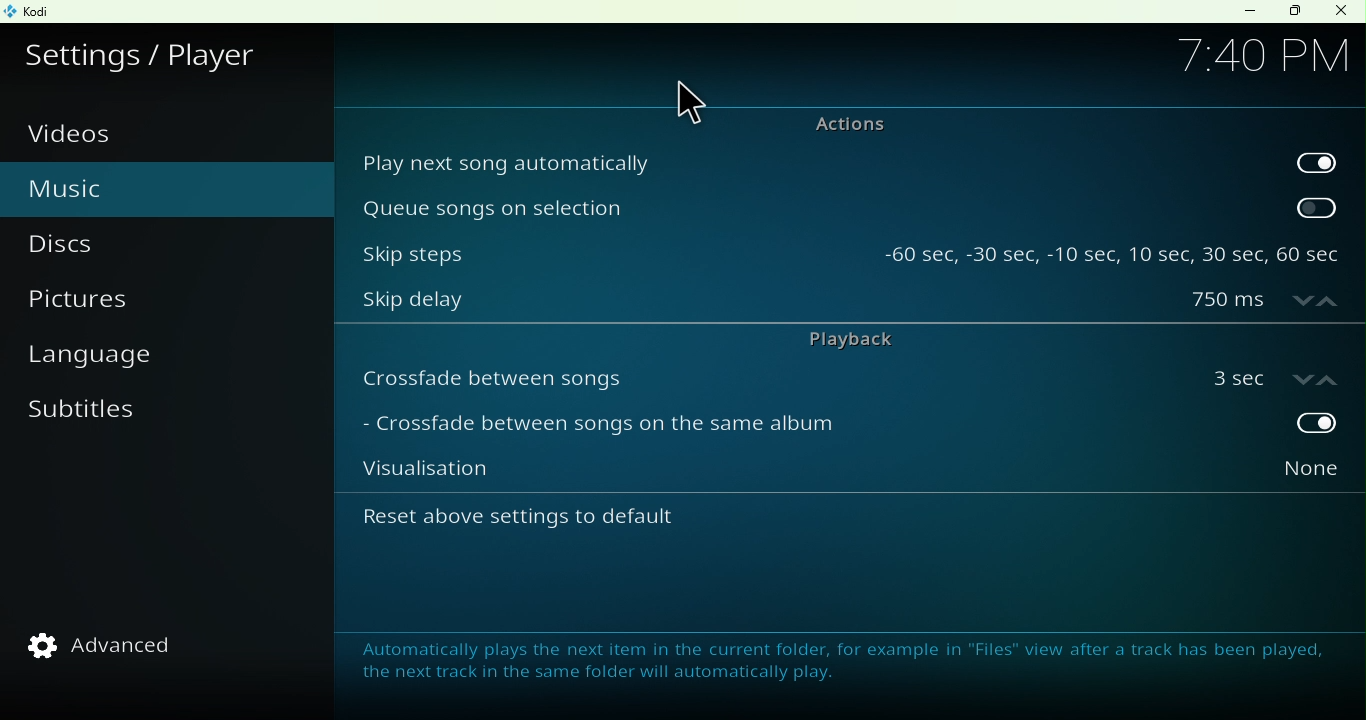  I want to click on Queue songs on selection, so click(810, 207).